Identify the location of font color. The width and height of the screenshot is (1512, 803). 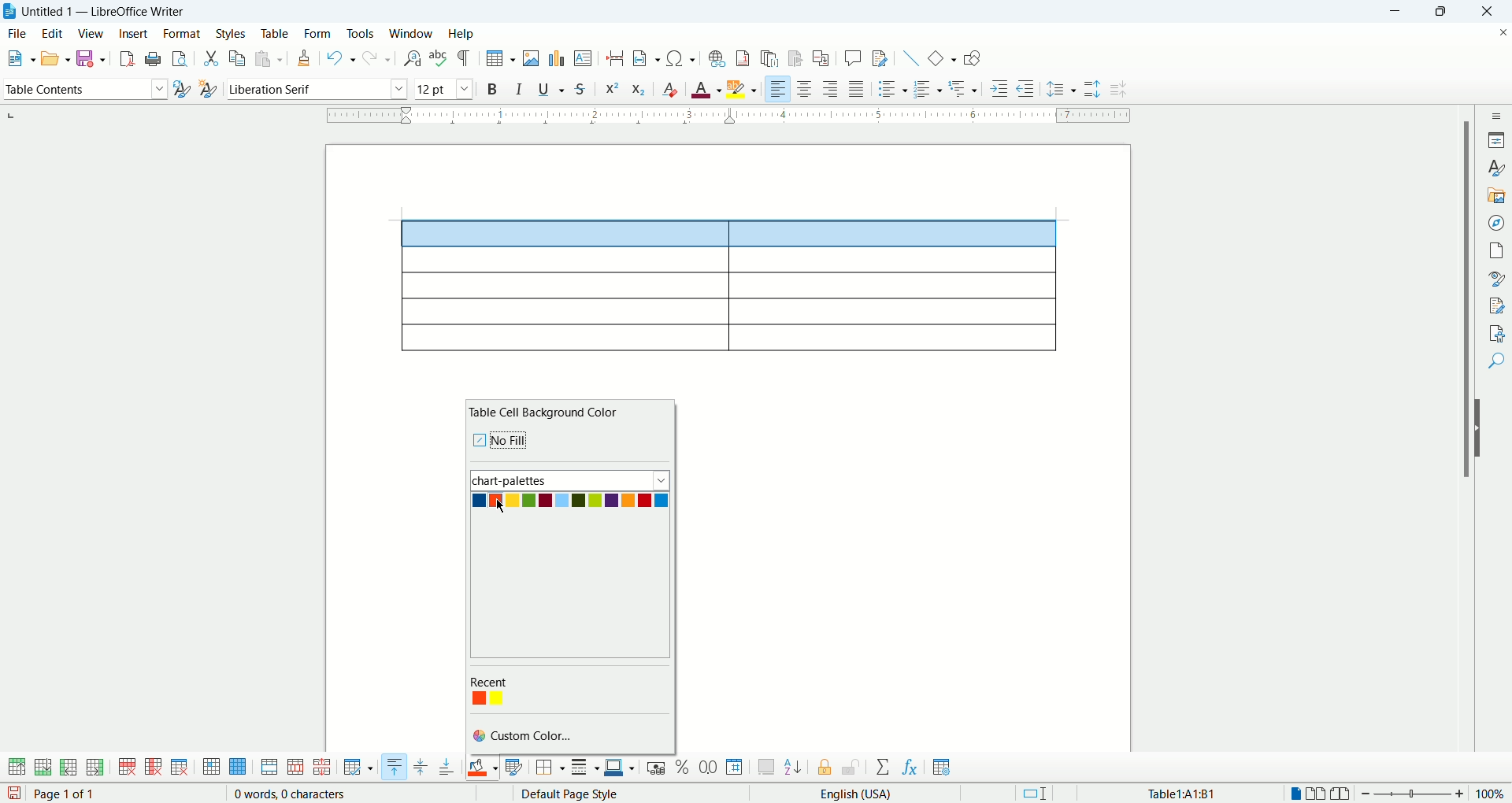
(707, 87).